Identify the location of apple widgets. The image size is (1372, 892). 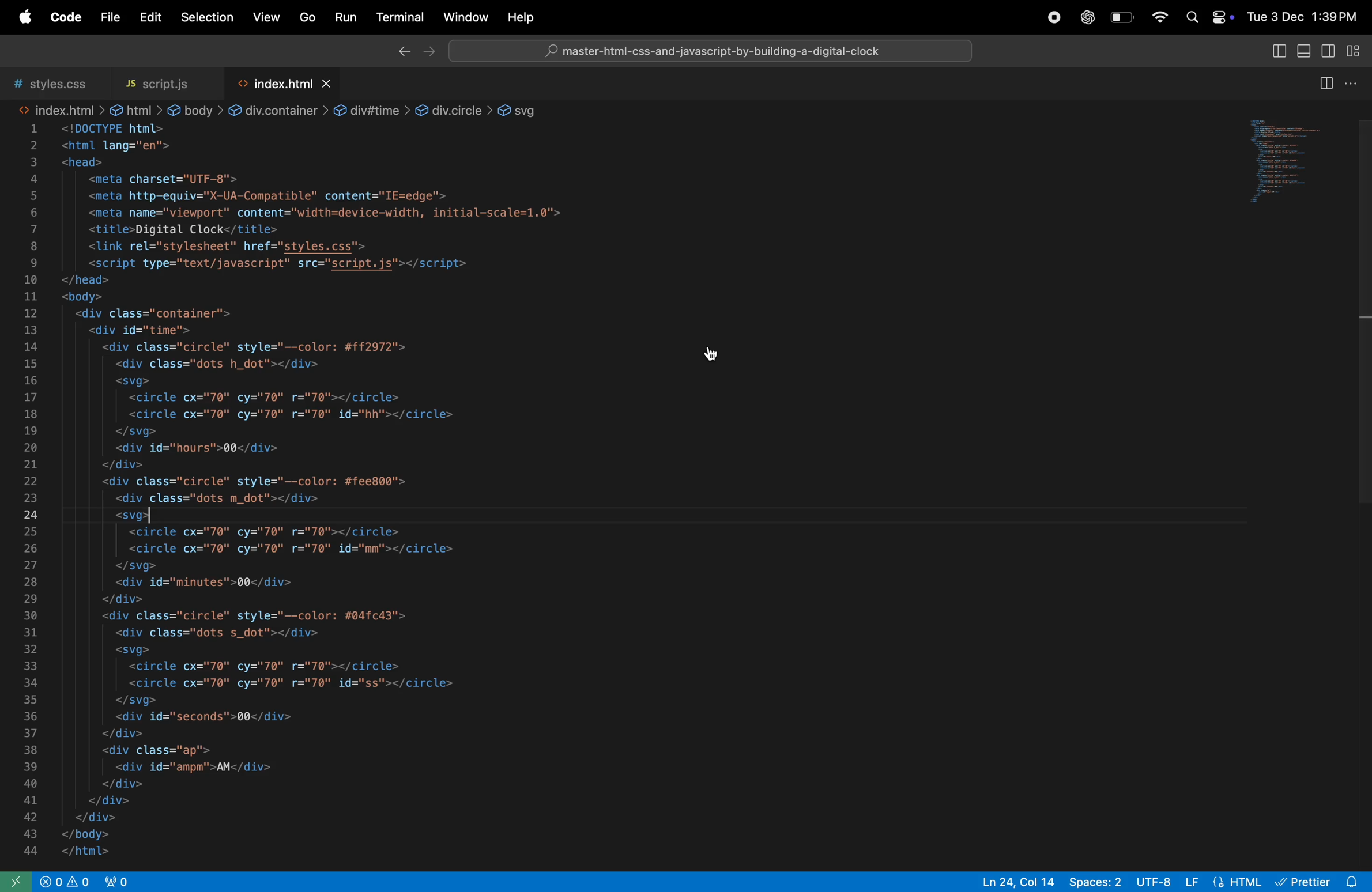
(1207, 16).